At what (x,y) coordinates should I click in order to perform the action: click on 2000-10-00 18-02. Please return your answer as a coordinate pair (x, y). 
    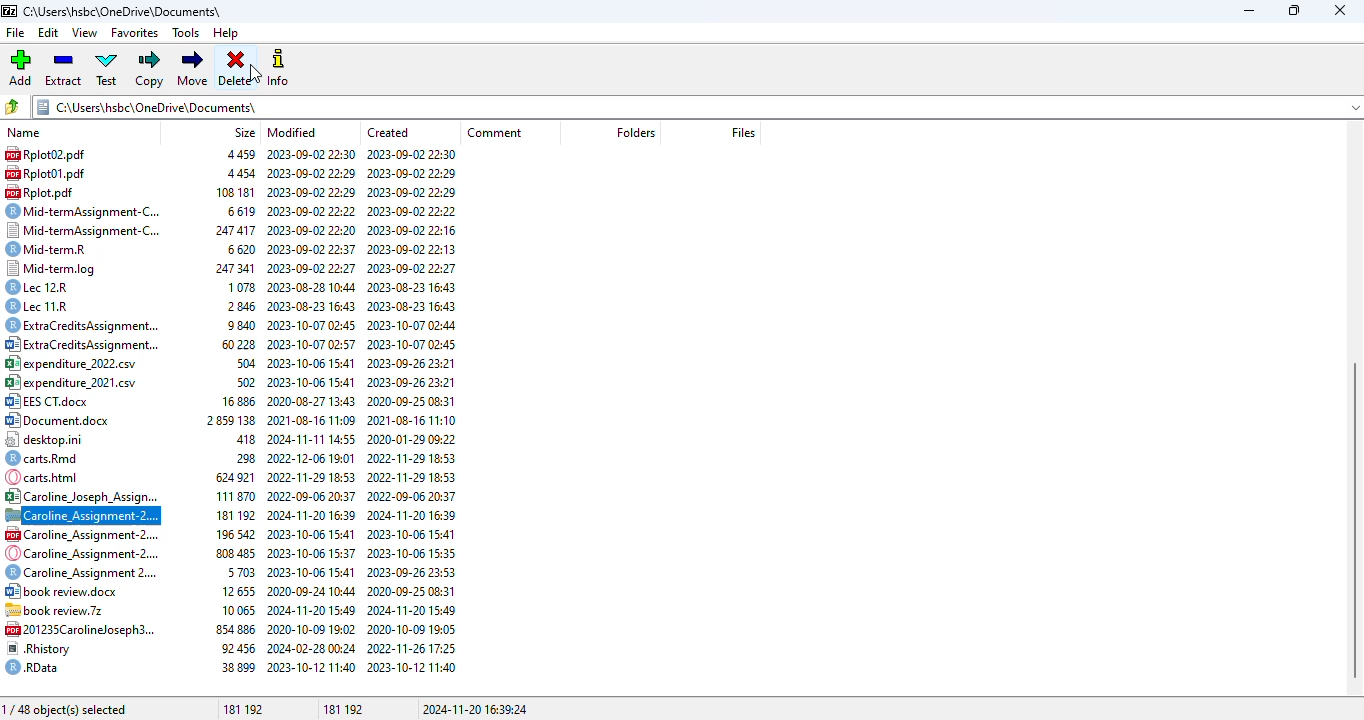
    Looking at the image, I should click on (312, 628).